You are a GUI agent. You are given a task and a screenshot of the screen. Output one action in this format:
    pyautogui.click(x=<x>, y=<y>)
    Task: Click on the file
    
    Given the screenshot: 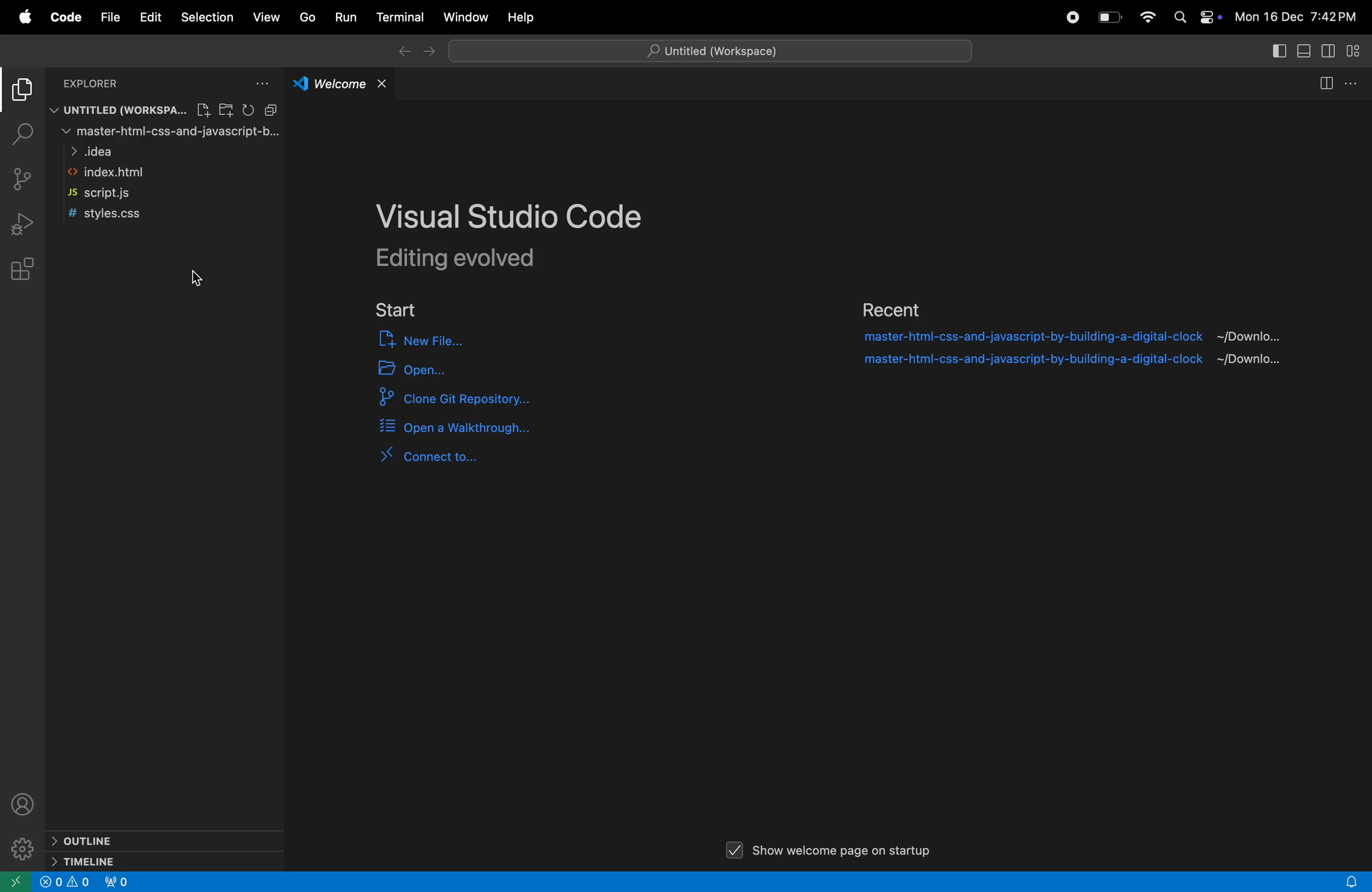 What is the action you would take?
    pyautogui.click(x=109, y=17)
    